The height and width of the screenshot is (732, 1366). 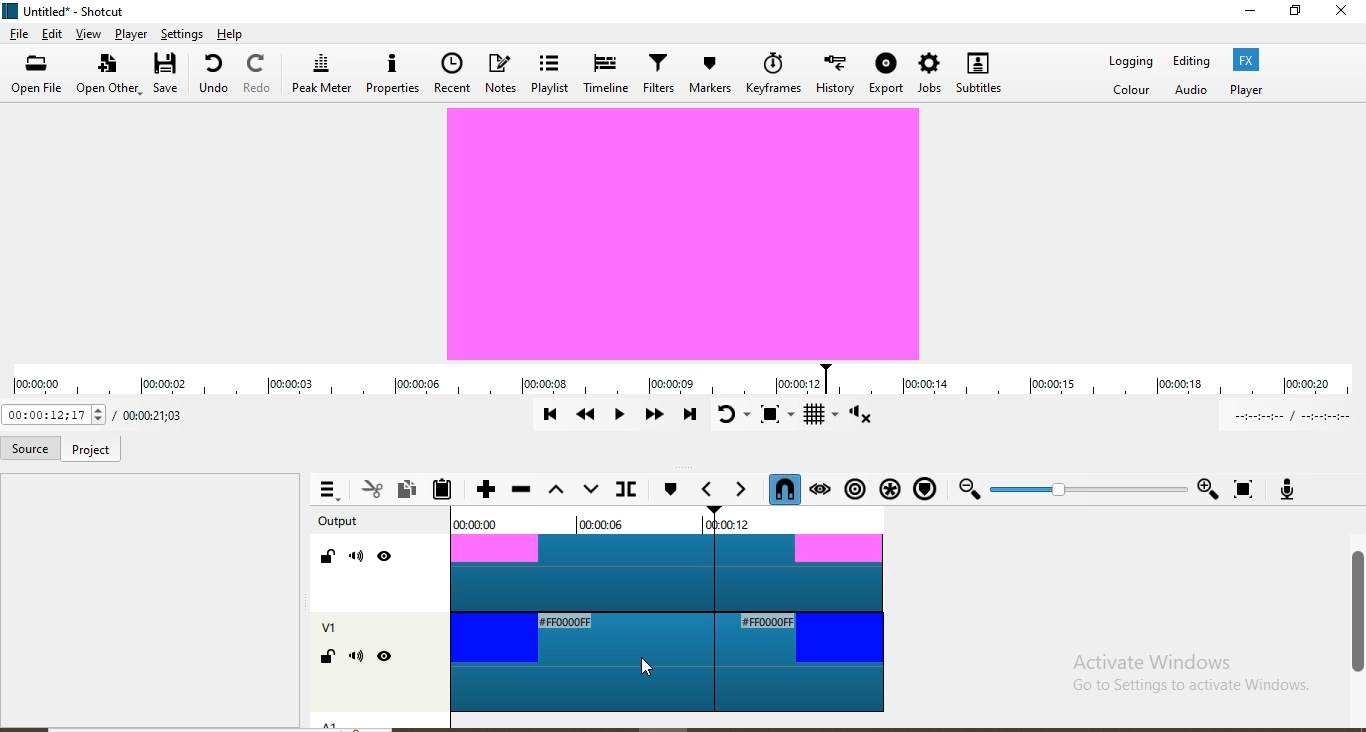 What do you see at coordinates (372, 490) in the screenshot?
I see `Cut` at bounding box center [372, 490].